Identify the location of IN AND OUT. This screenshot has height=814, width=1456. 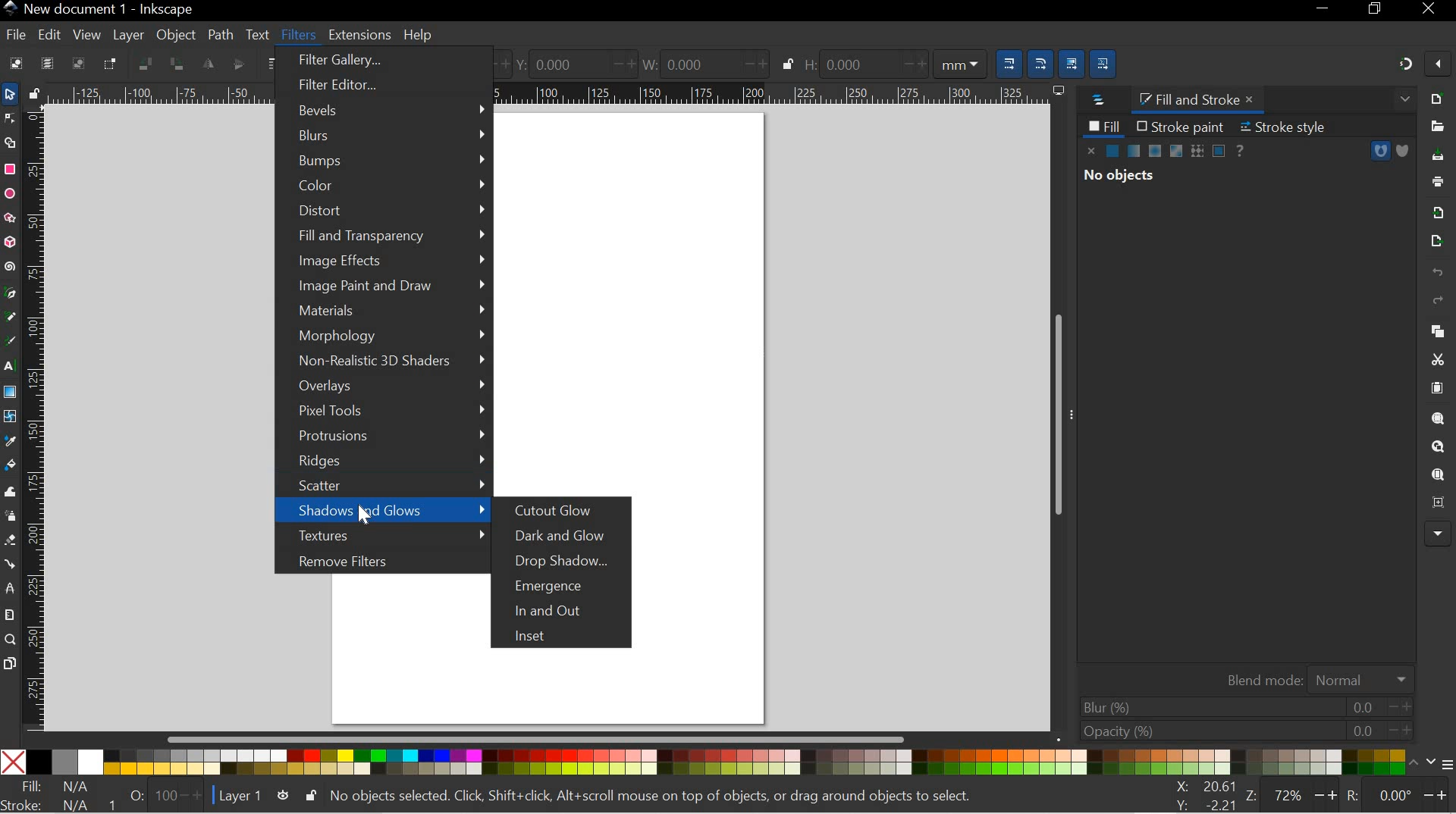
(566, 609).